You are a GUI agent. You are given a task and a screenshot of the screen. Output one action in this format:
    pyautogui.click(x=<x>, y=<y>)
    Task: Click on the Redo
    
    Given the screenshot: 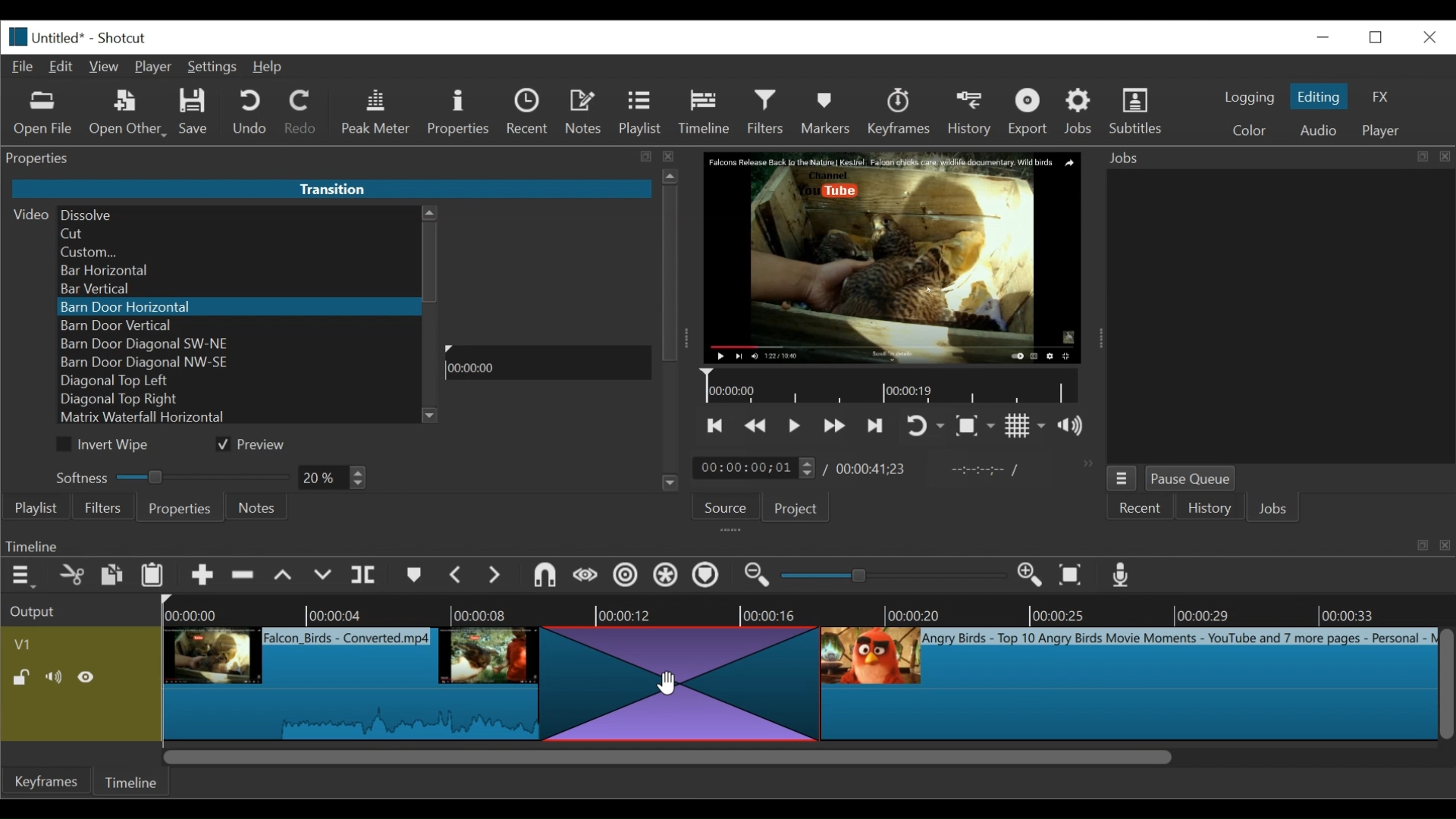 What is the action you would take?
    pyautogui.click(x=303, y=113)
    